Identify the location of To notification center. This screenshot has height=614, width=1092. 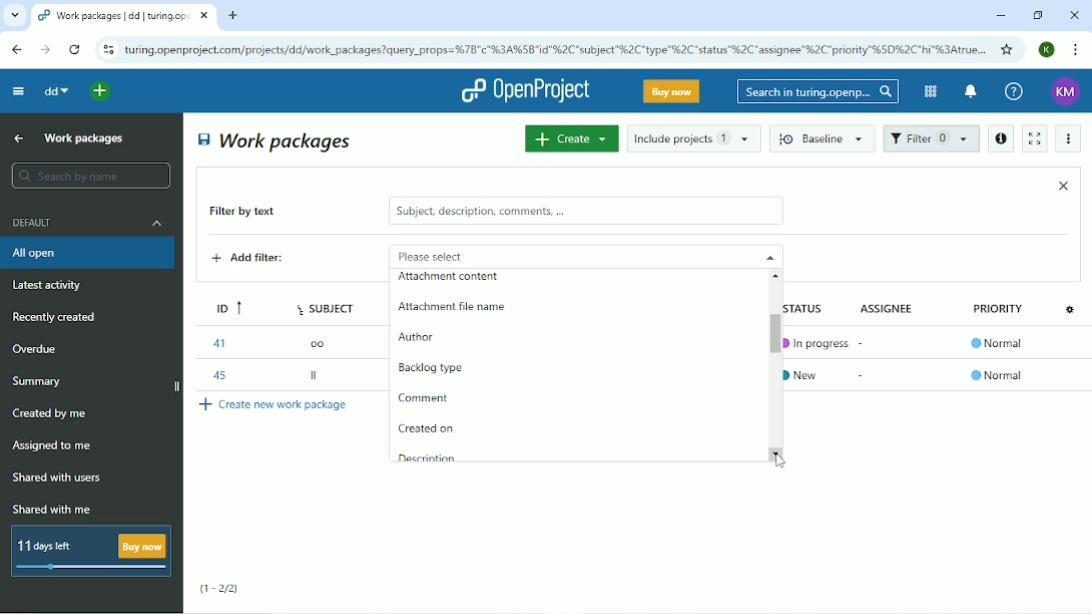
(969, 93).